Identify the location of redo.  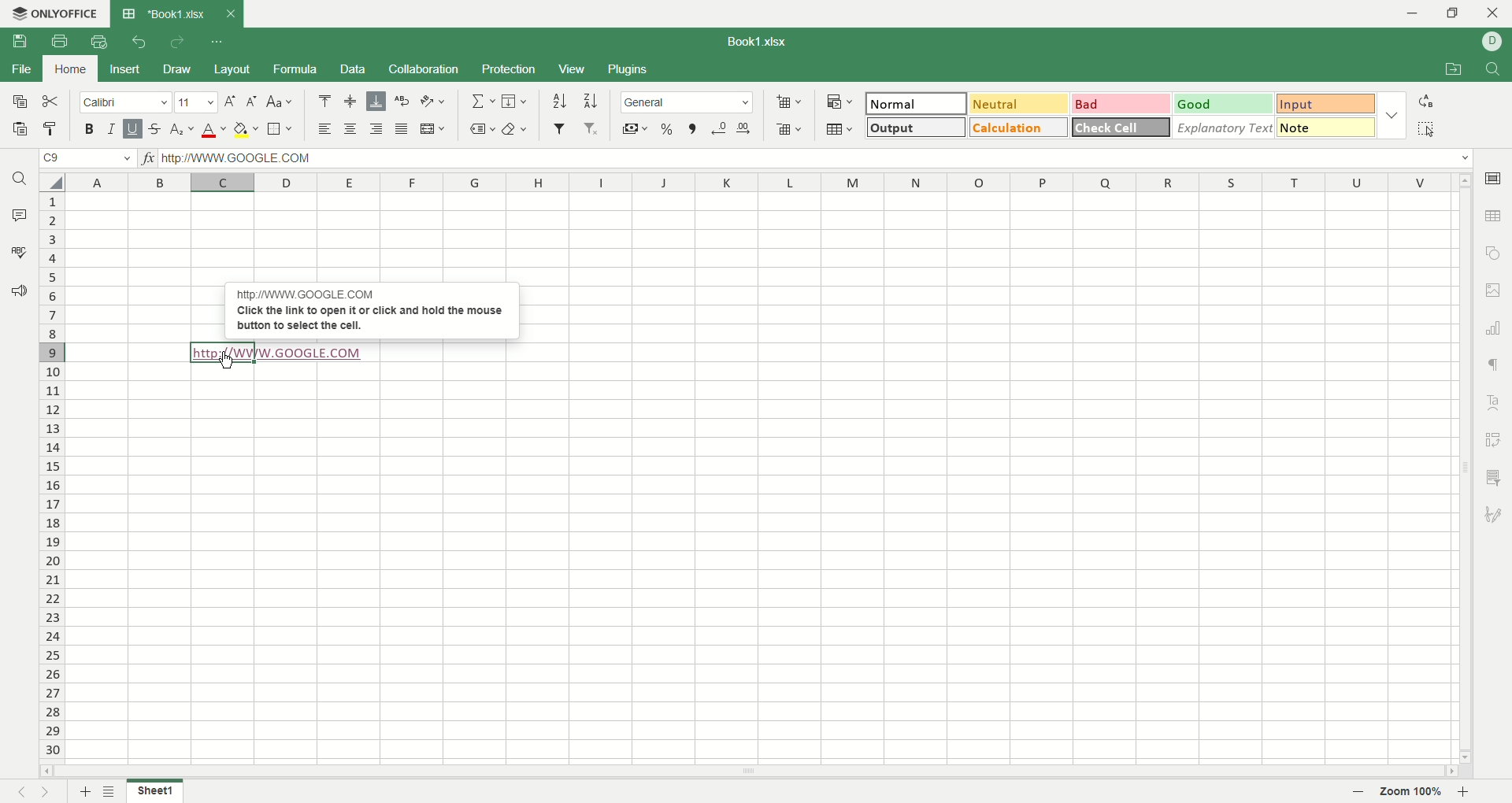
(177, 43).